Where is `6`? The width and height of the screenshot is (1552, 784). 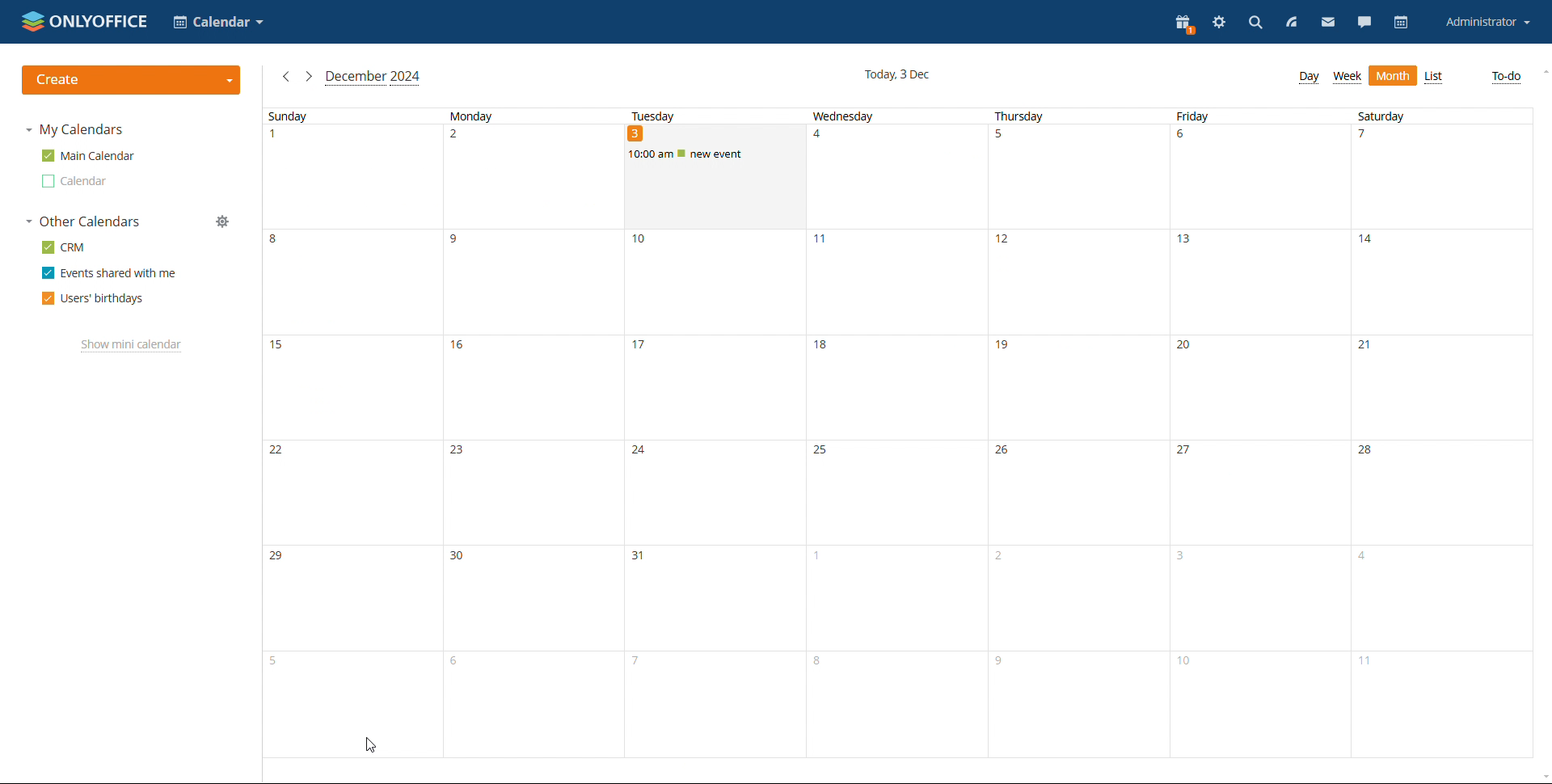
6 is located at coordinates (1258, 176).